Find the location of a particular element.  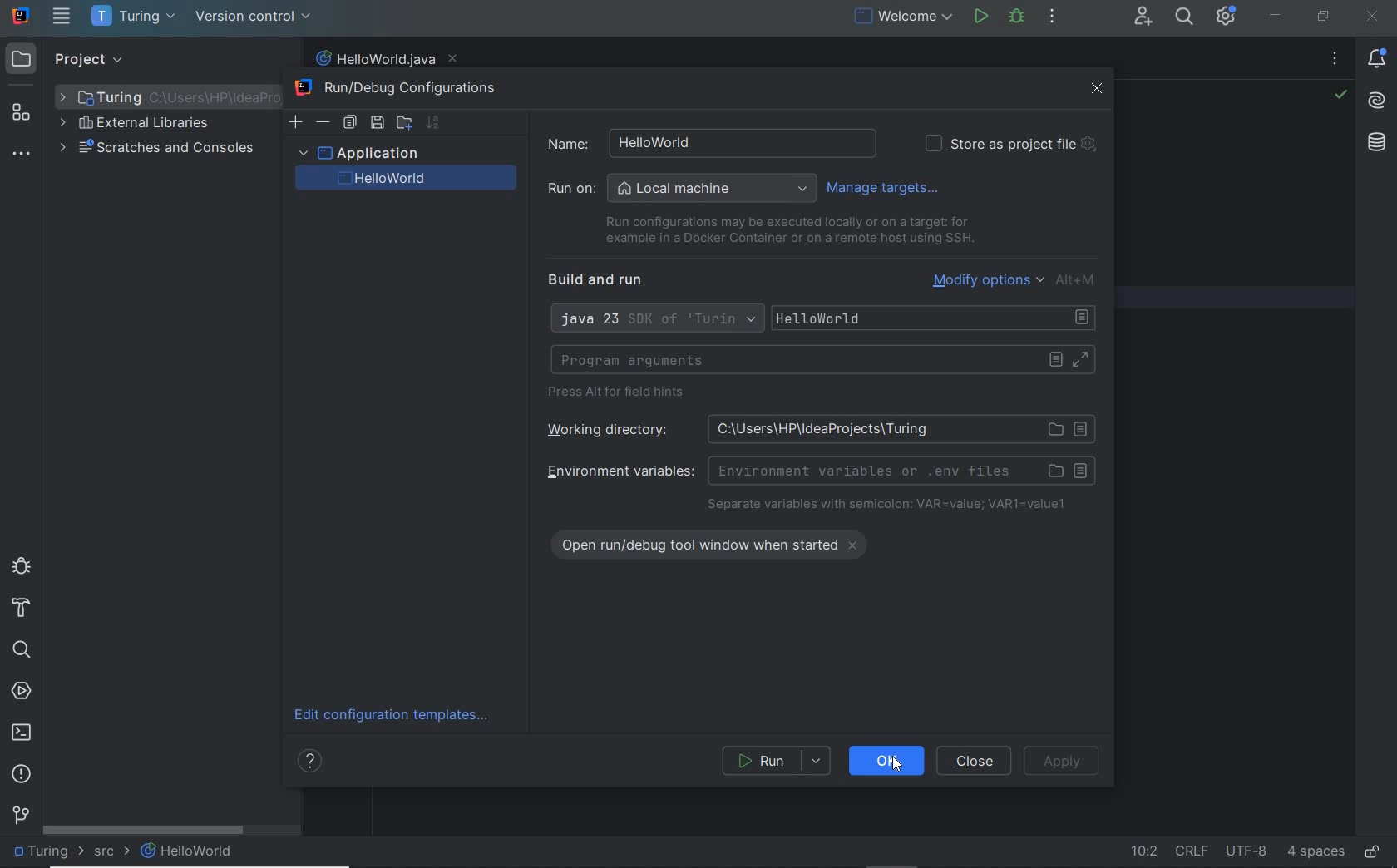

structure is located at coordinates (22, 113).